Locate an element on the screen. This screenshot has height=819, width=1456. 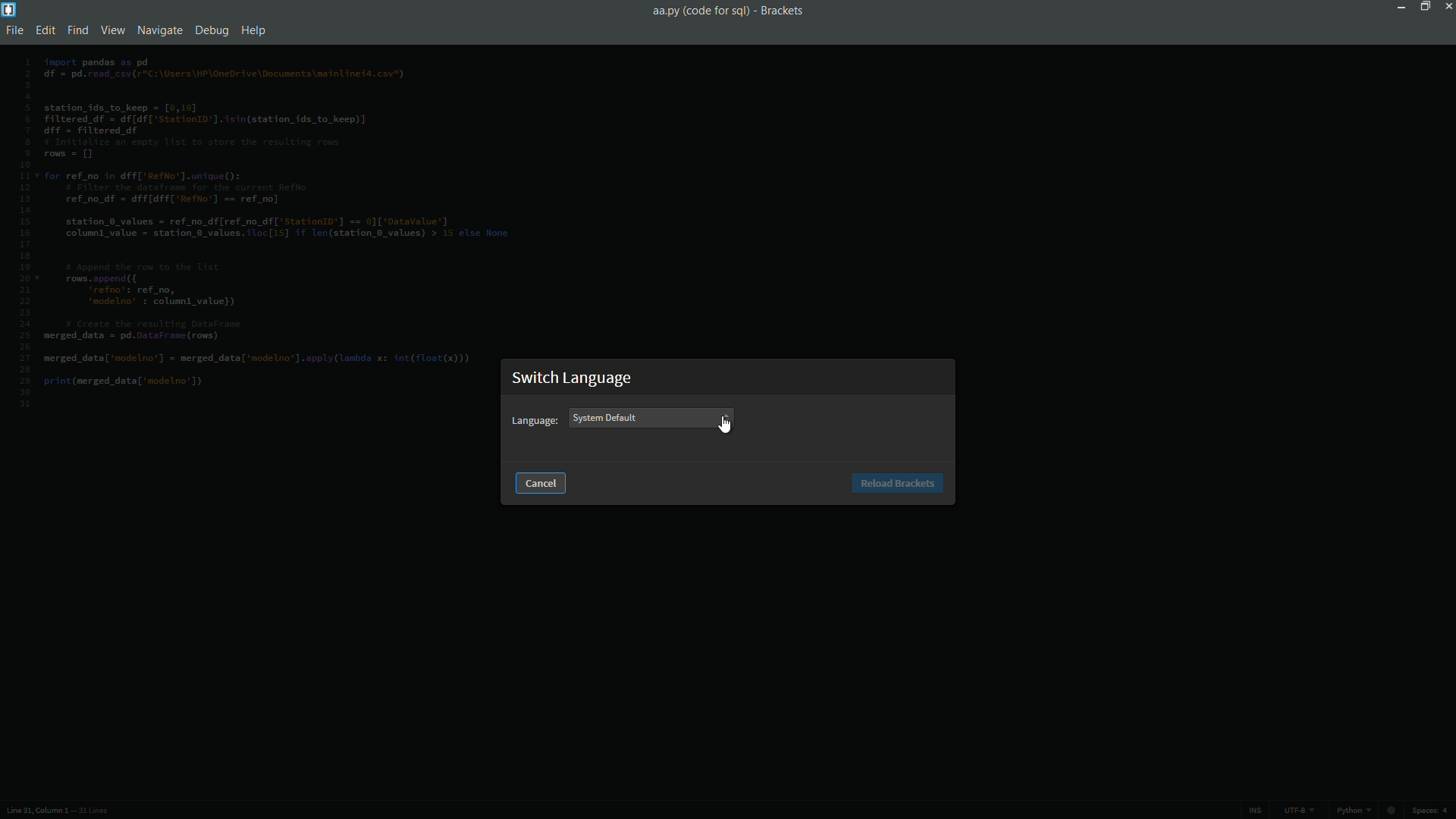
cursor position is located at coordinates (36, 811).